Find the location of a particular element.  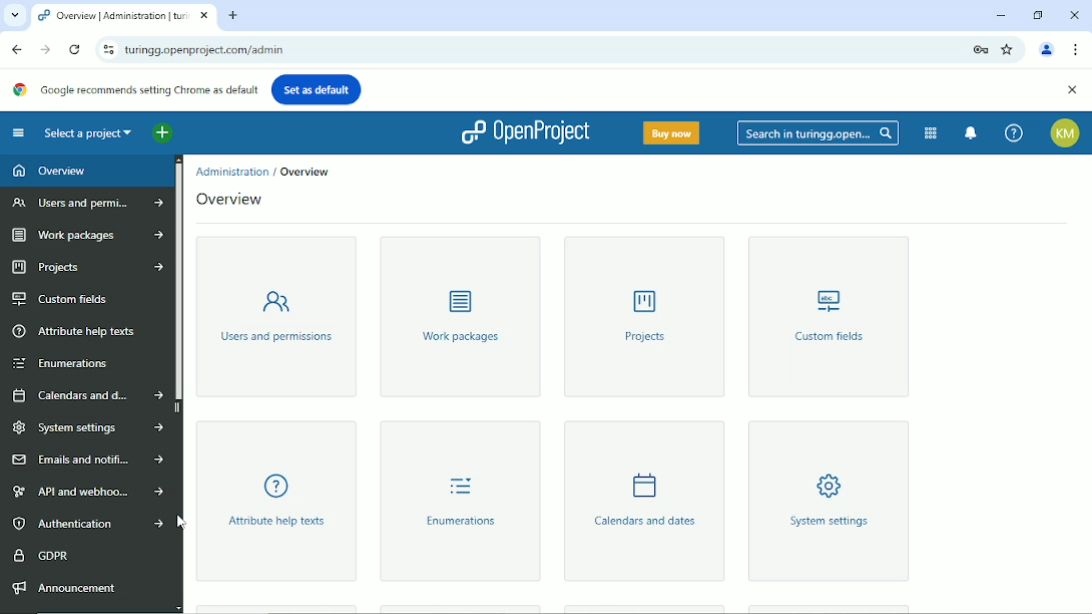

Custom fields is located at coordinates (831, 317).